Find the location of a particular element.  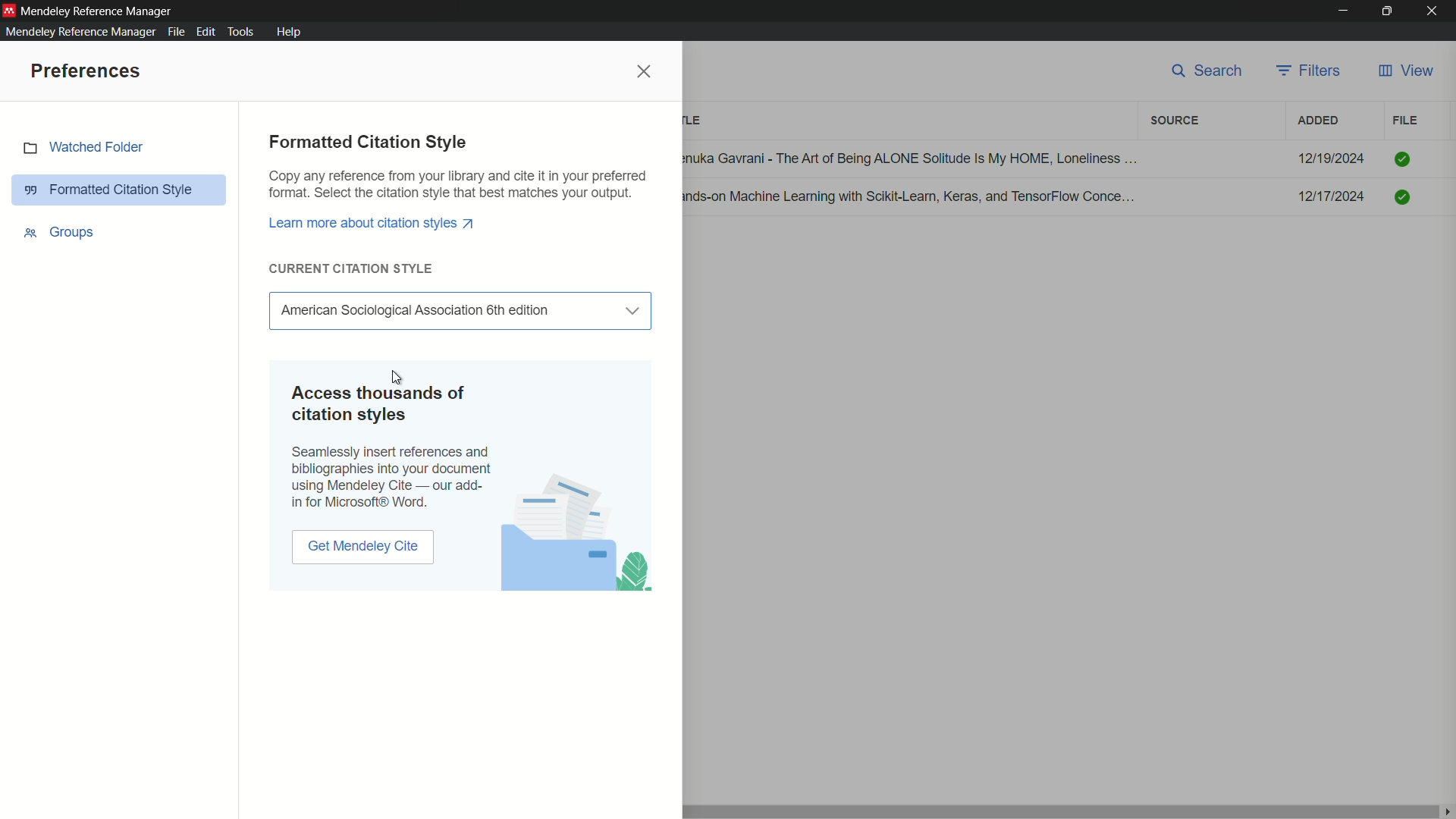

close preferences is located at coordinates (645, 72).